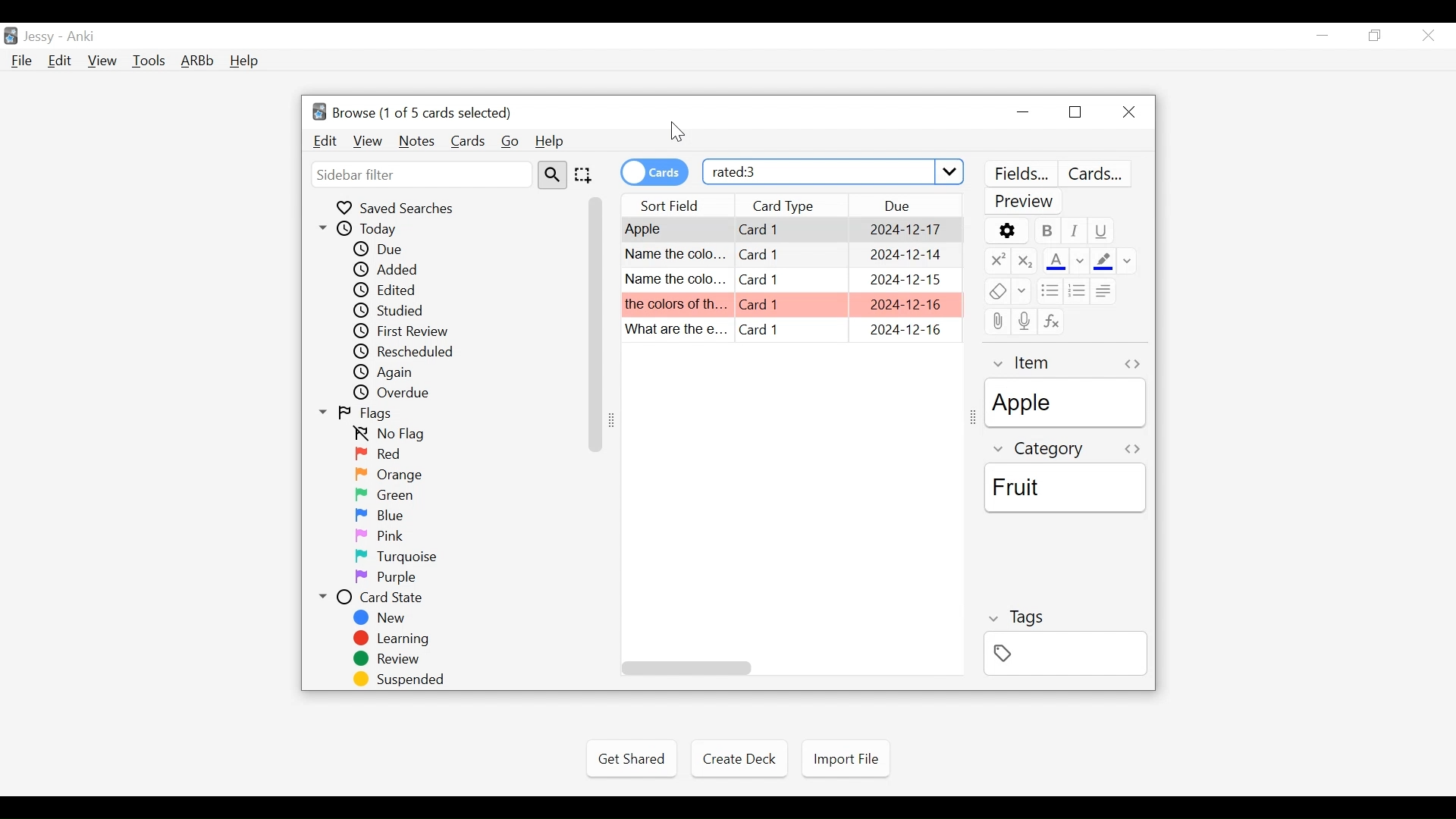  I want to click on New, so click(383, 620).